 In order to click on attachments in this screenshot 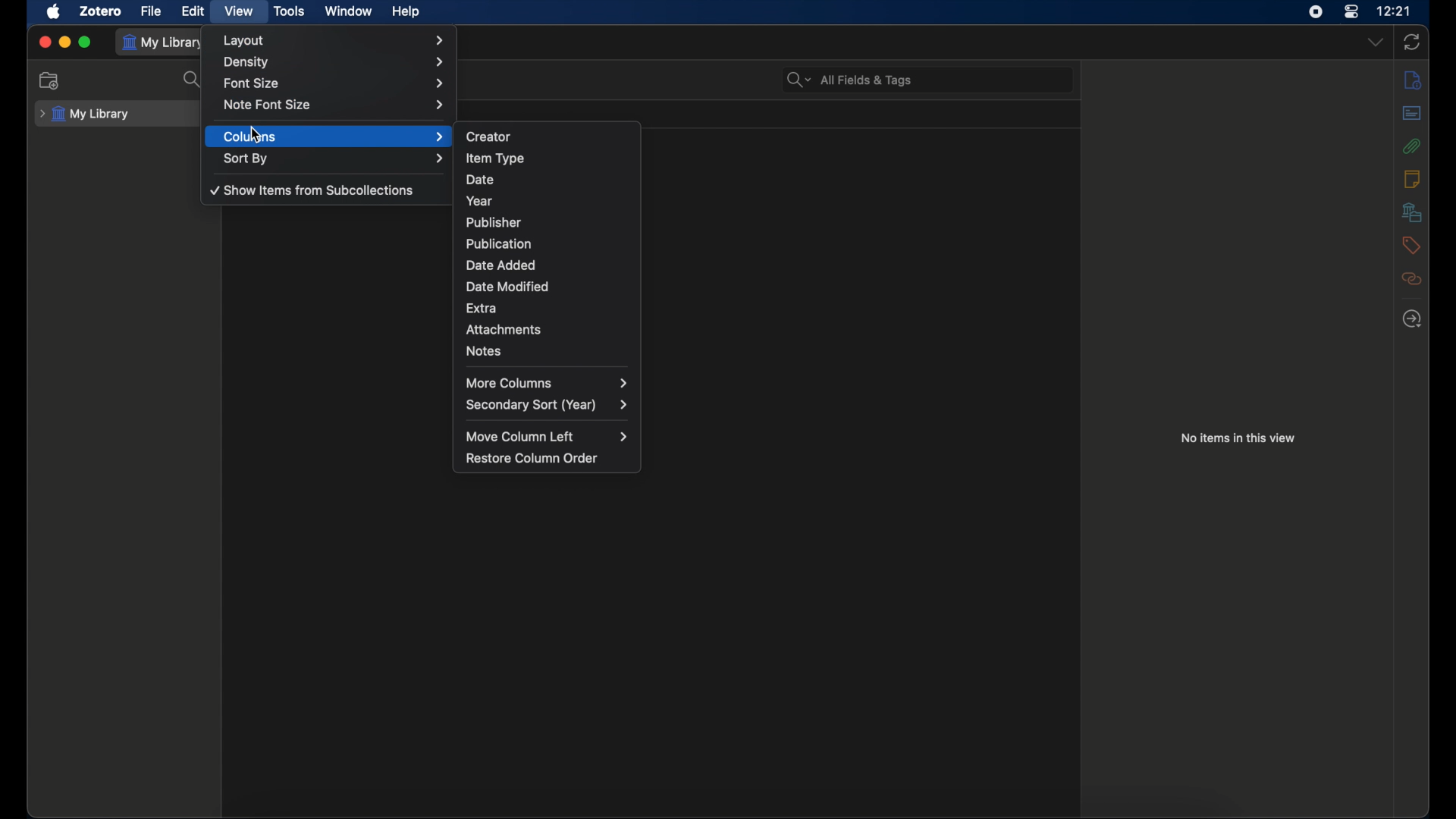, I will do `click(1411, 146)`.